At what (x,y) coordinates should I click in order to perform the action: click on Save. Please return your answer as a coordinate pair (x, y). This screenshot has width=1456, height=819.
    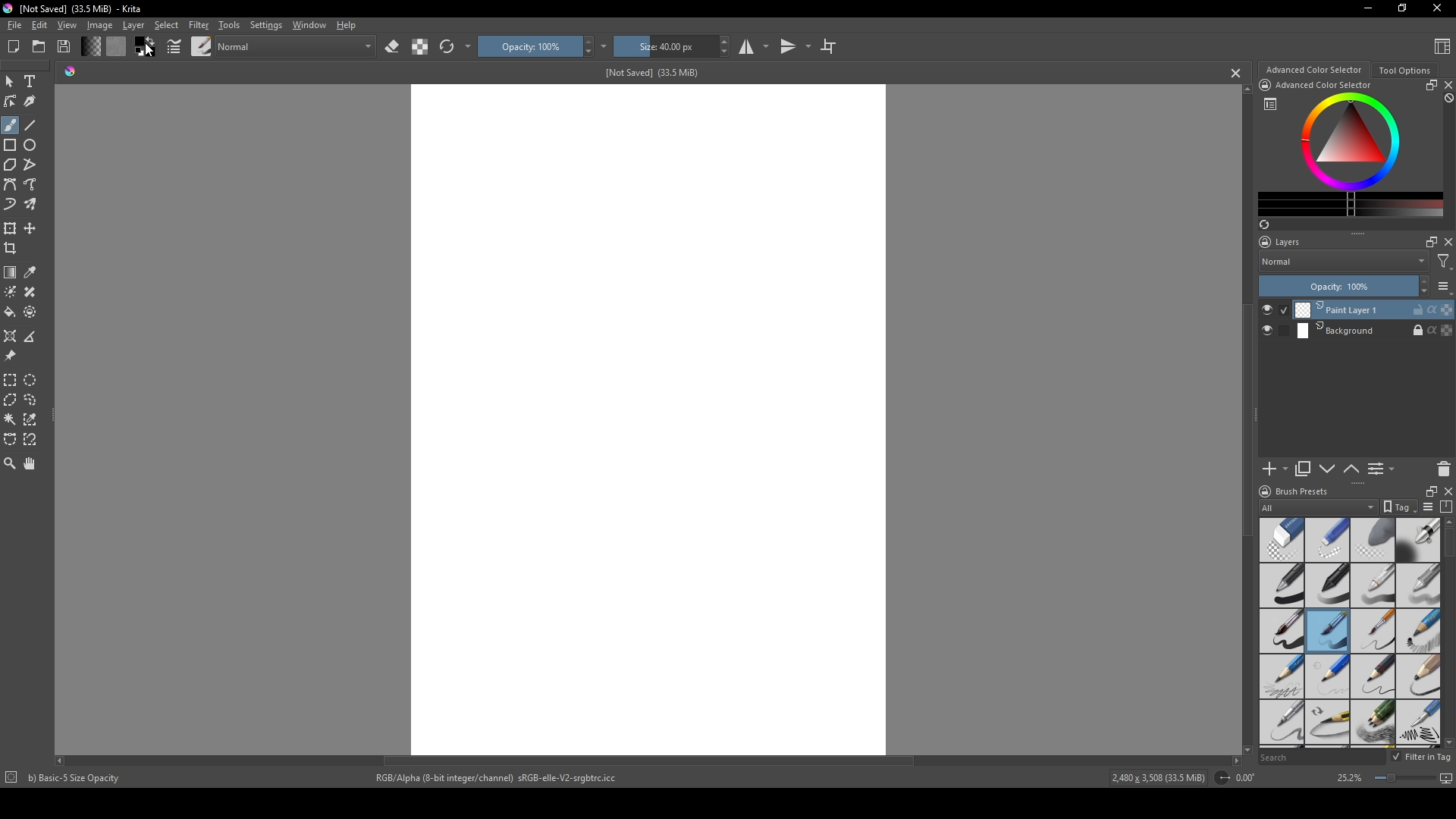
    Looking at the image, I should click on (65, 45).